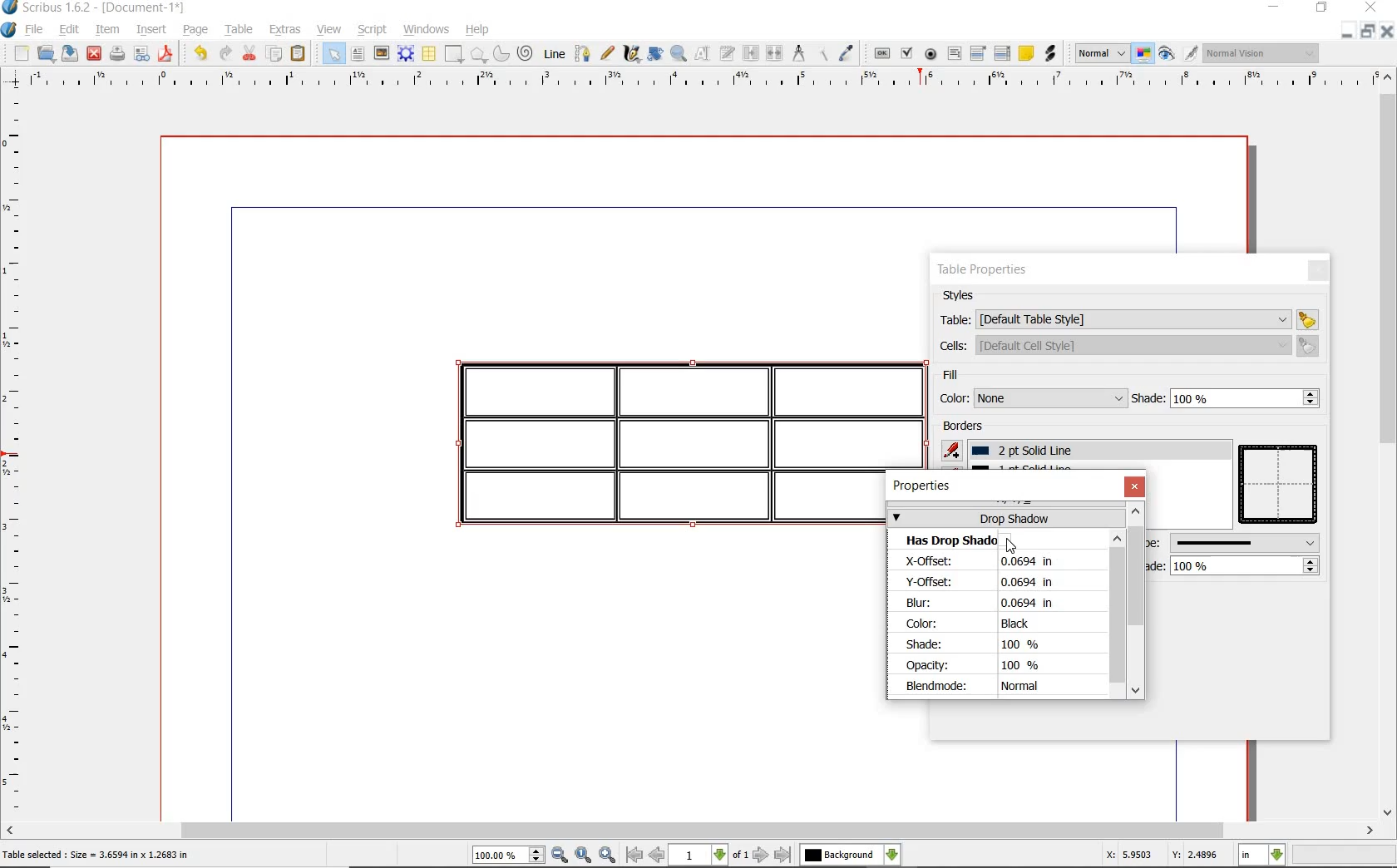 This screenshot has height=868, width=1397. What do you see at coordinates (703, 54) in the screenshot?
I see `edit content of frame` at bounding box center [703, 54].